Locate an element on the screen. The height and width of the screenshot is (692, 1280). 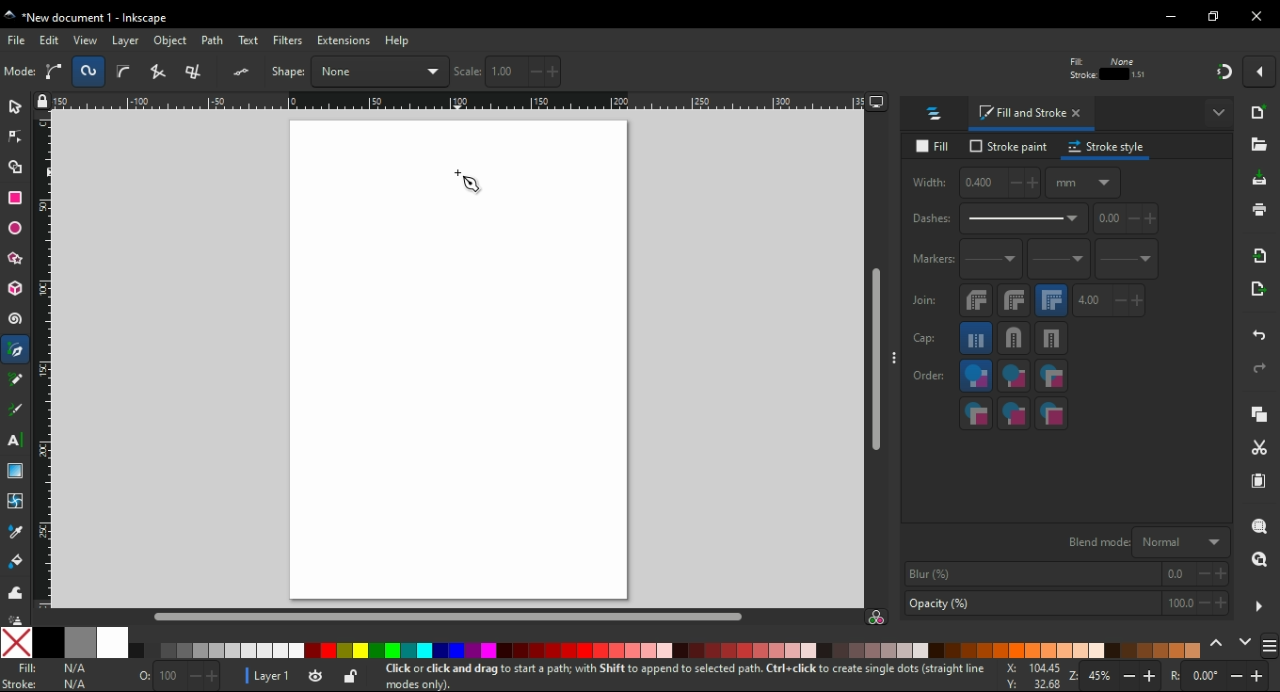
text is located at coordinates (250, 41).